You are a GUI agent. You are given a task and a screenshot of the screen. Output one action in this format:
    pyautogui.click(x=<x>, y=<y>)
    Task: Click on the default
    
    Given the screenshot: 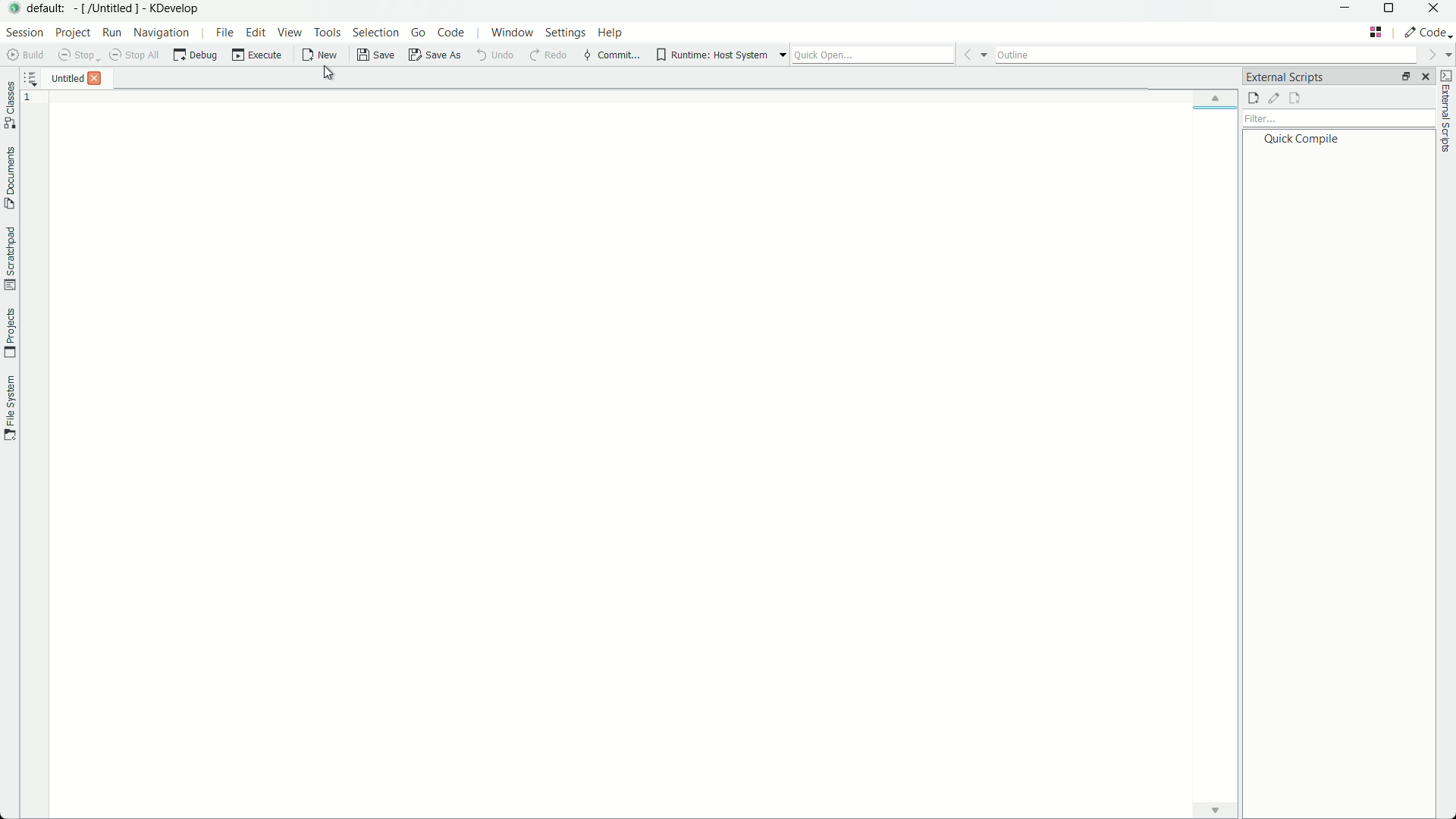 What is the action you would take?
    pyautogui.click(x=48, y=9)
    